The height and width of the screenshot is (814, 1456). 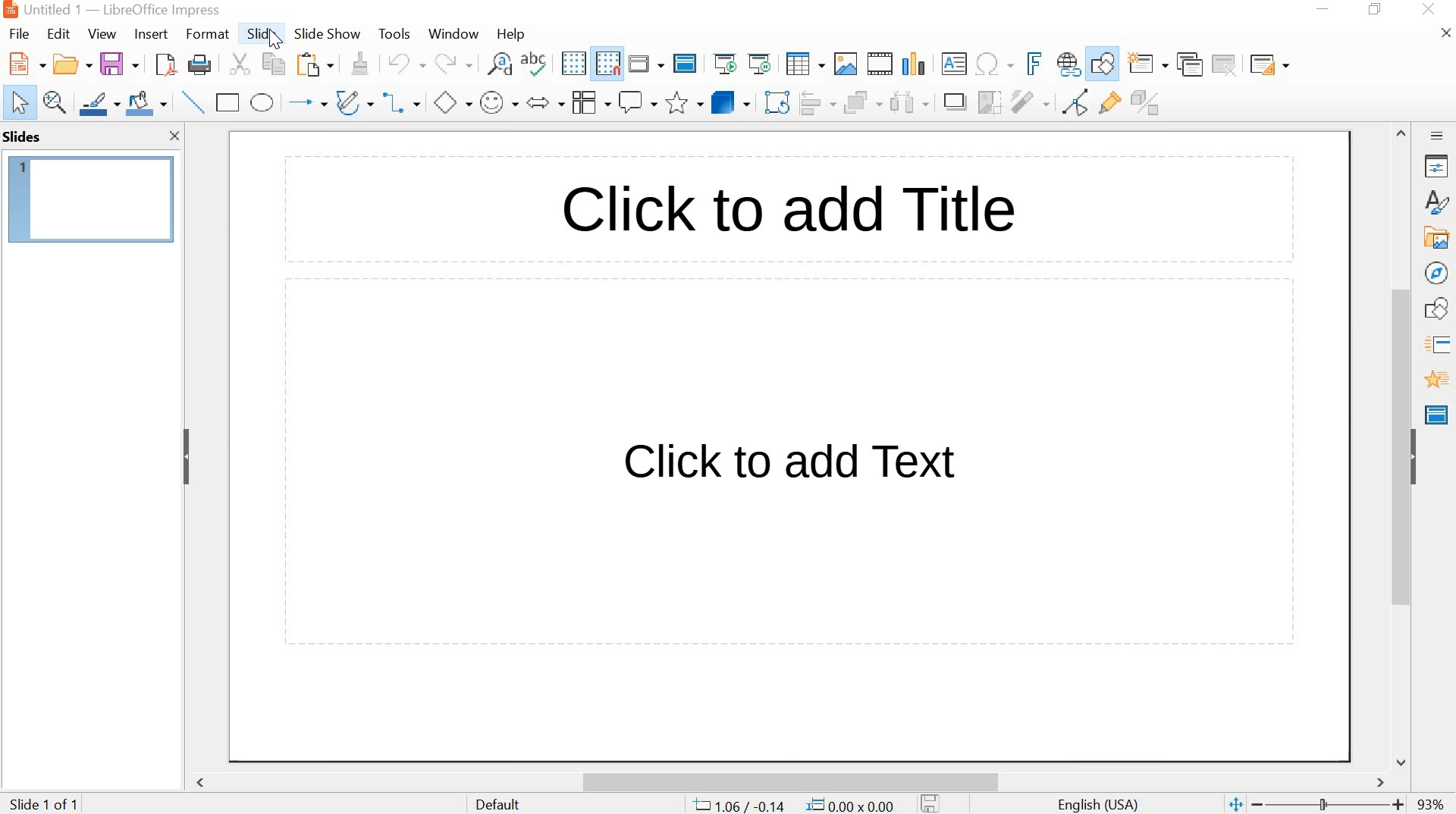 What do you see at coordinates (863, 101) in the screenshot?
I see `Arrange` at bounding box center [863, 101].